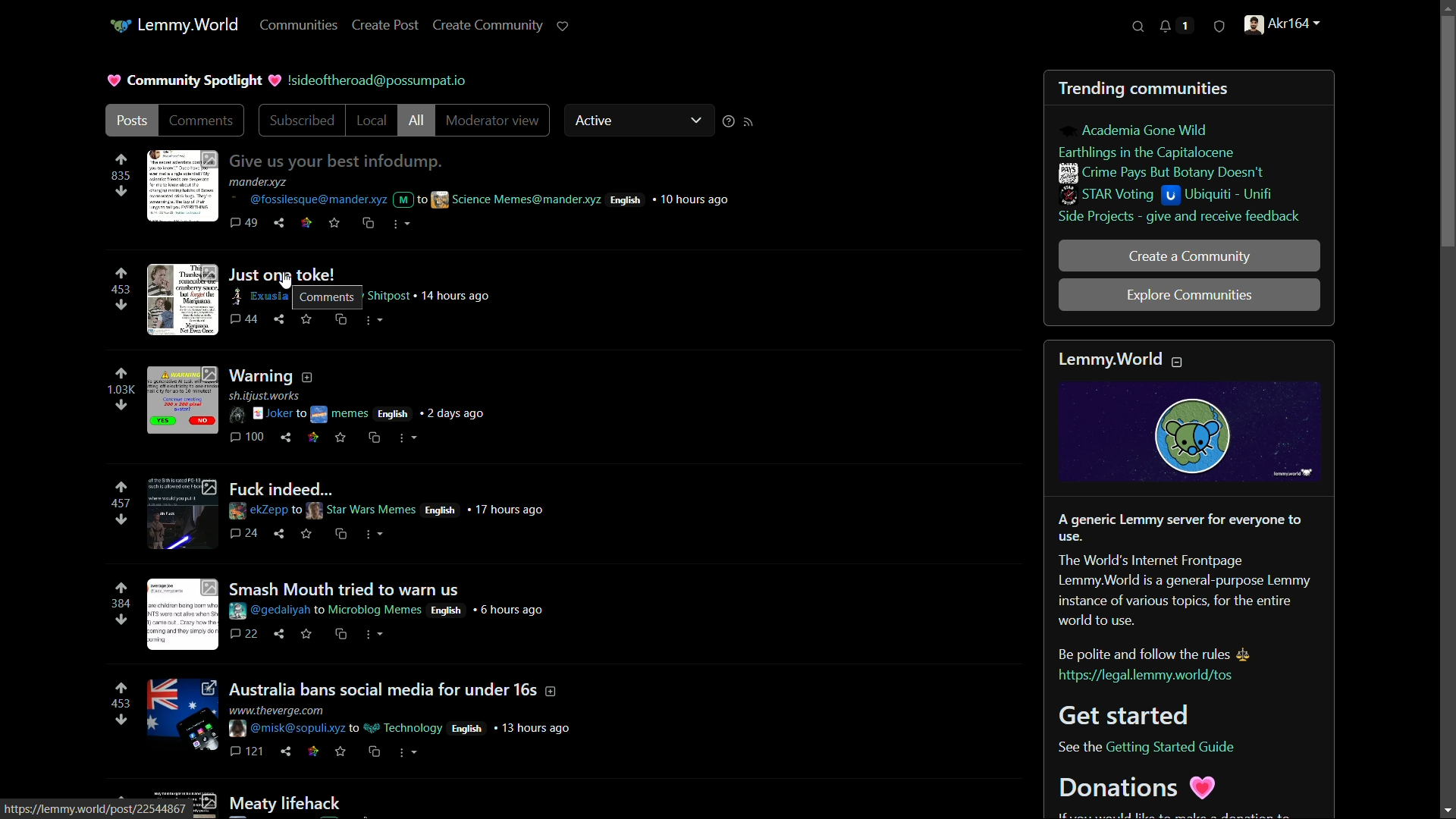 Image resolution: width=1456 pixels, height=819 pixels. Describe the element at coordinates (124, 587) in the screenshot. I see `upvote` at that location.